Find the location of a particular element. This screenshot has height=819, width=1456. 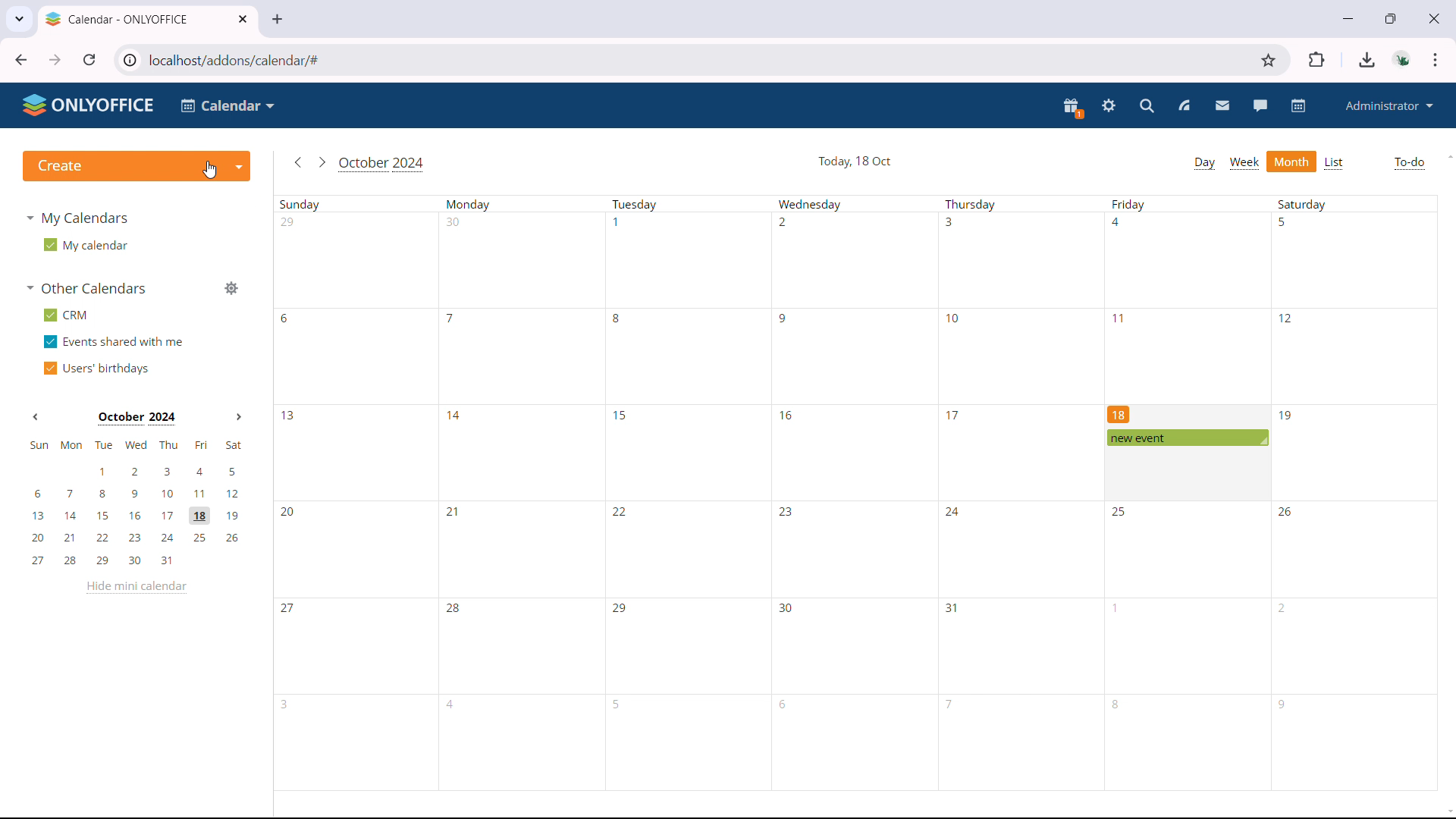

6 is located at coordinates (286, 318).